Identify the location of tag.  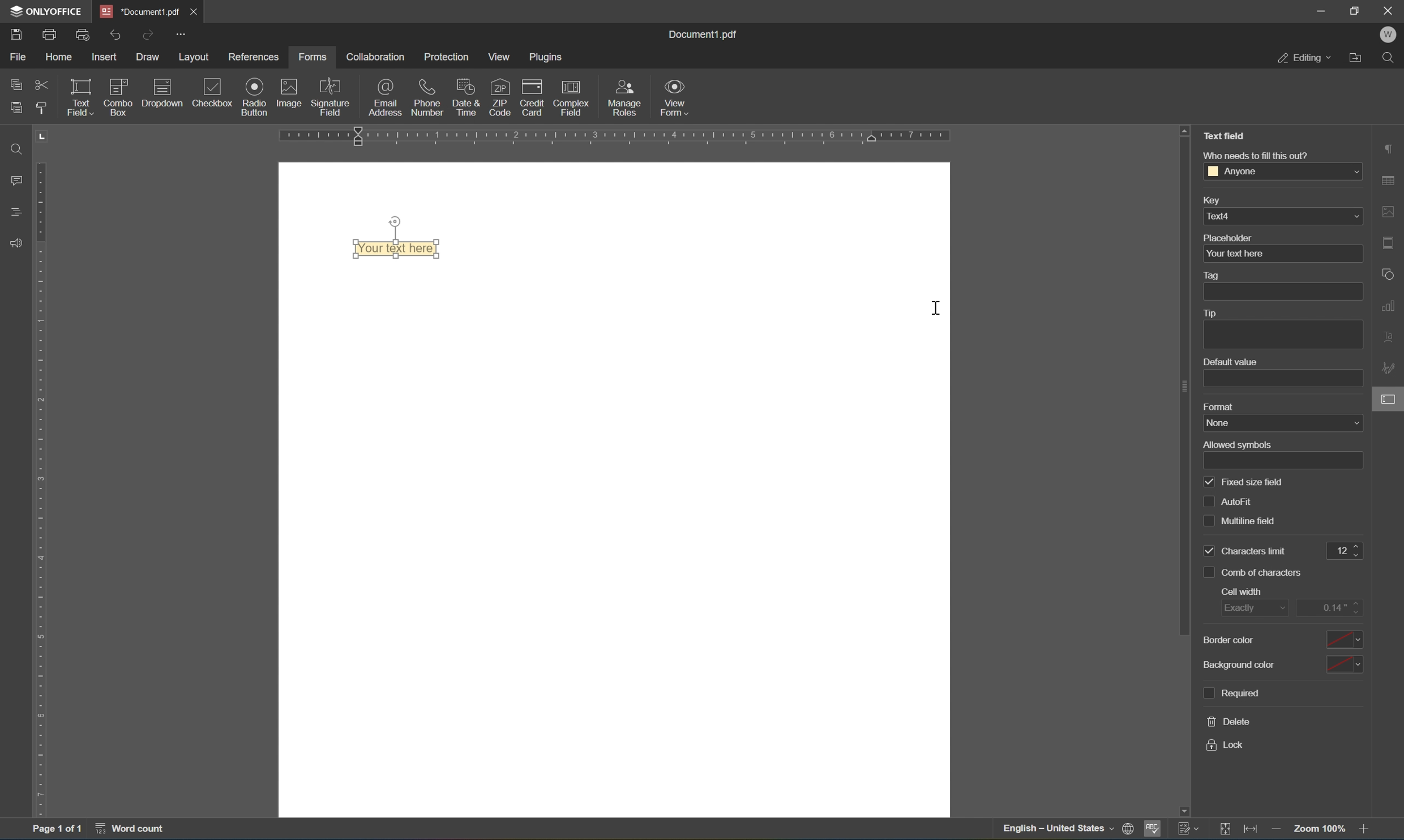
(1213, 275).